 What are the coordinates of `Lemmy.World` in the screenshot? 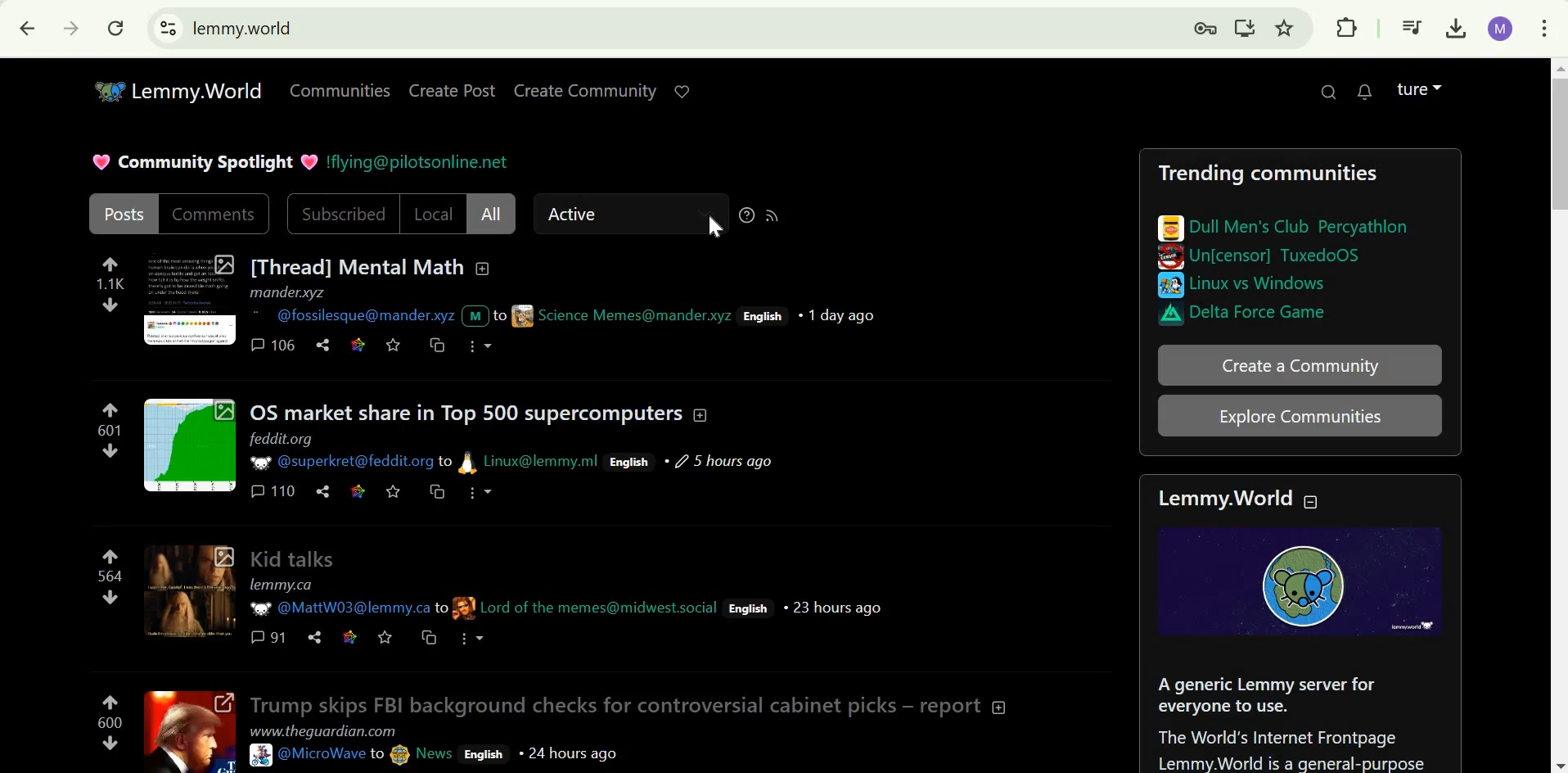 It's located at (176, 88).